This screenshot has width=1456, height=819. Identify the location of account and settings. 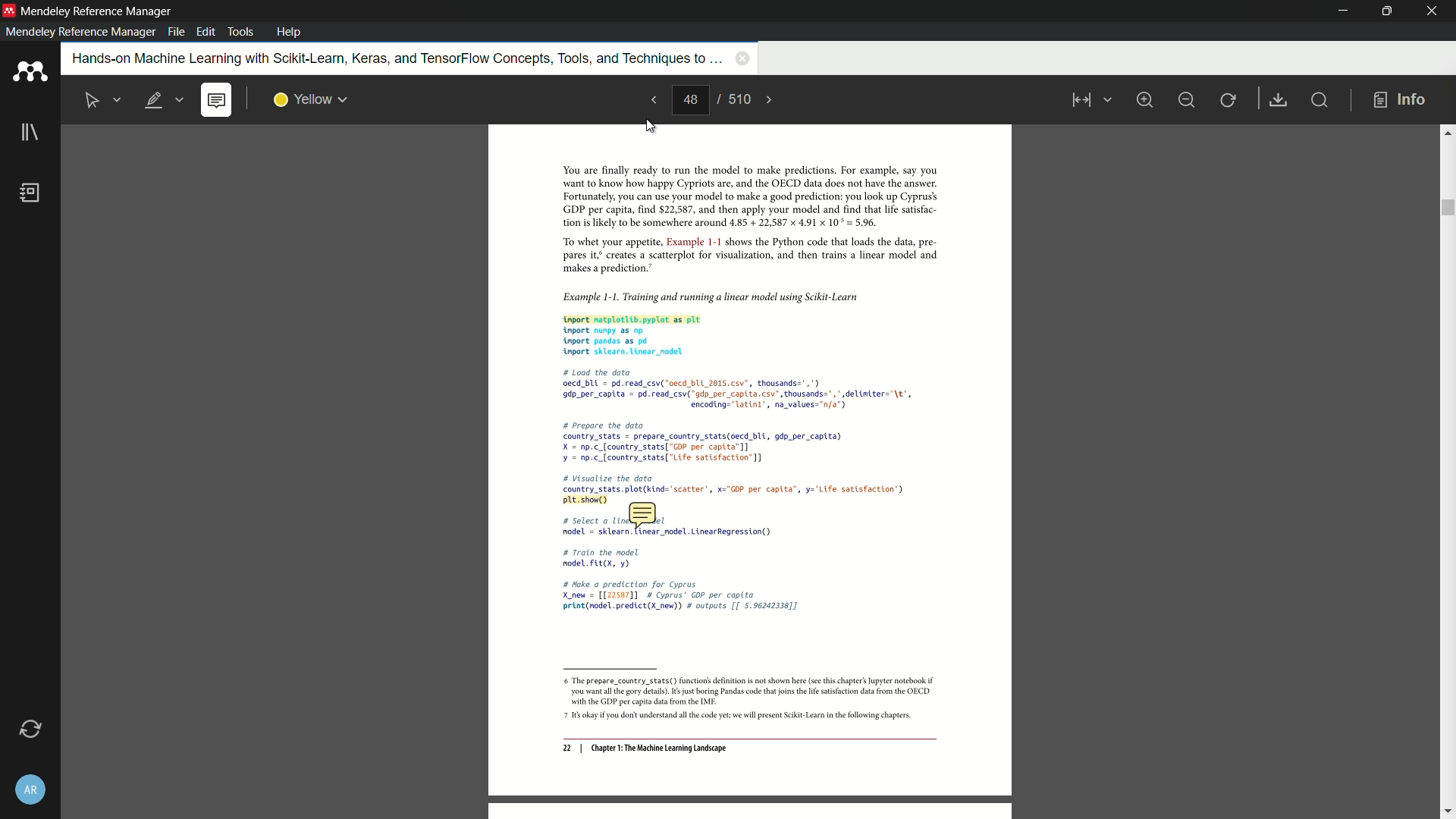
(30, 789).